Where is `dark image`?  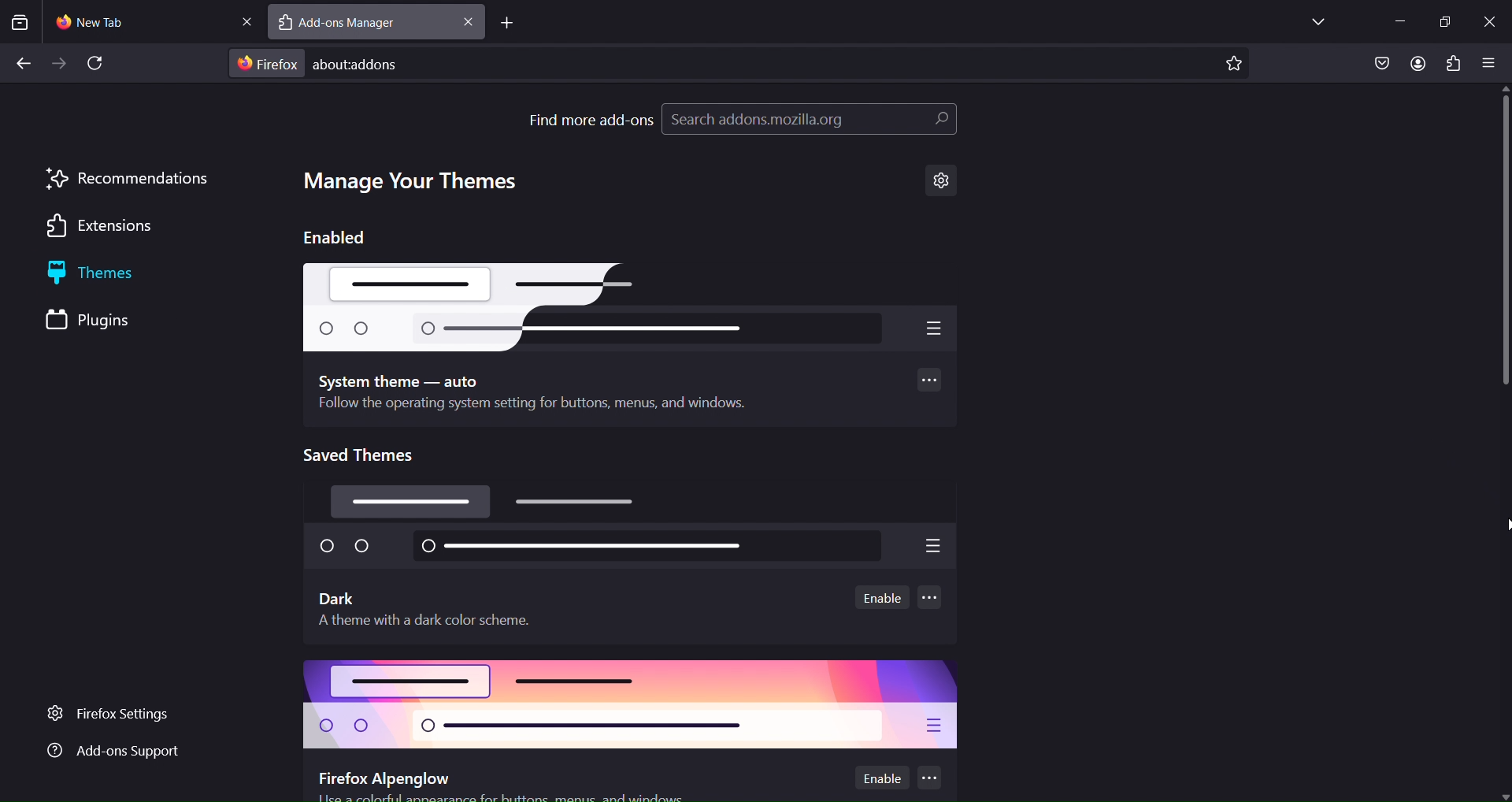 dark image is located at coordinates (635, 529).